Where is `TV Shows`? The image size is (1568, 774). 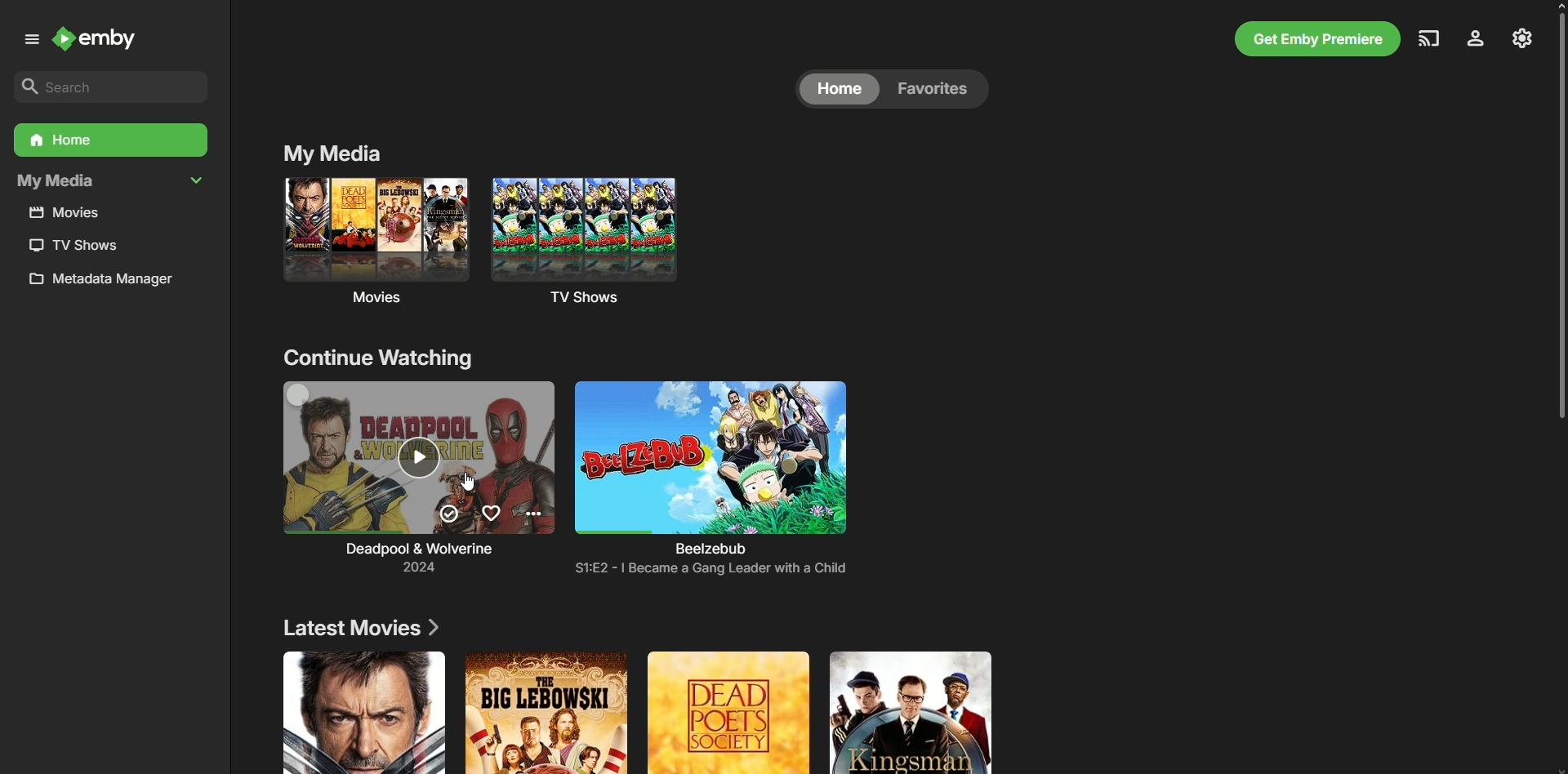
TV Shows is located at coordinates (608, 243).